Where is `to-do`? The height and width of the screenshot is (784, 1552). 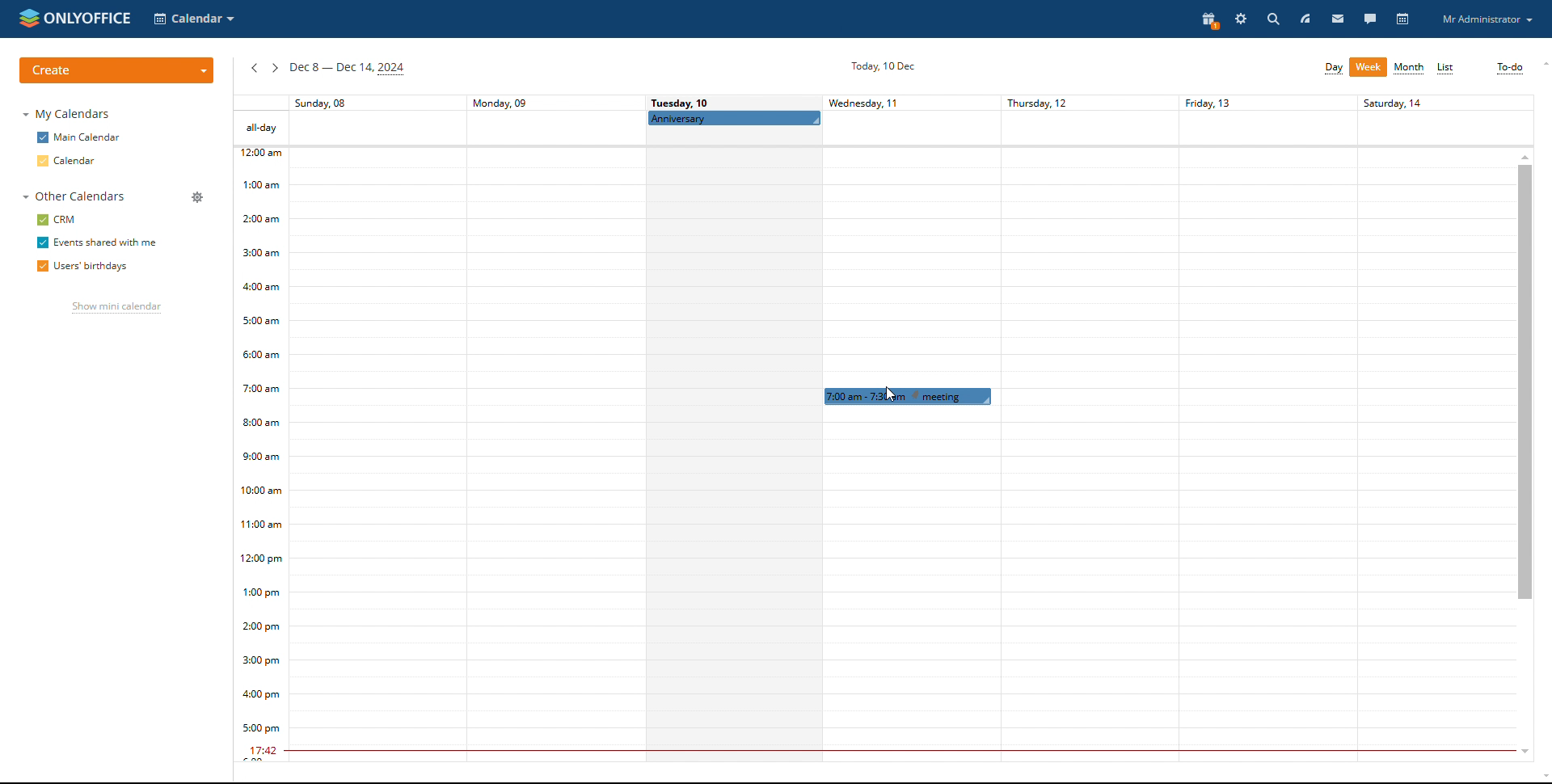 to-do is located at coordinates (1510, 68).